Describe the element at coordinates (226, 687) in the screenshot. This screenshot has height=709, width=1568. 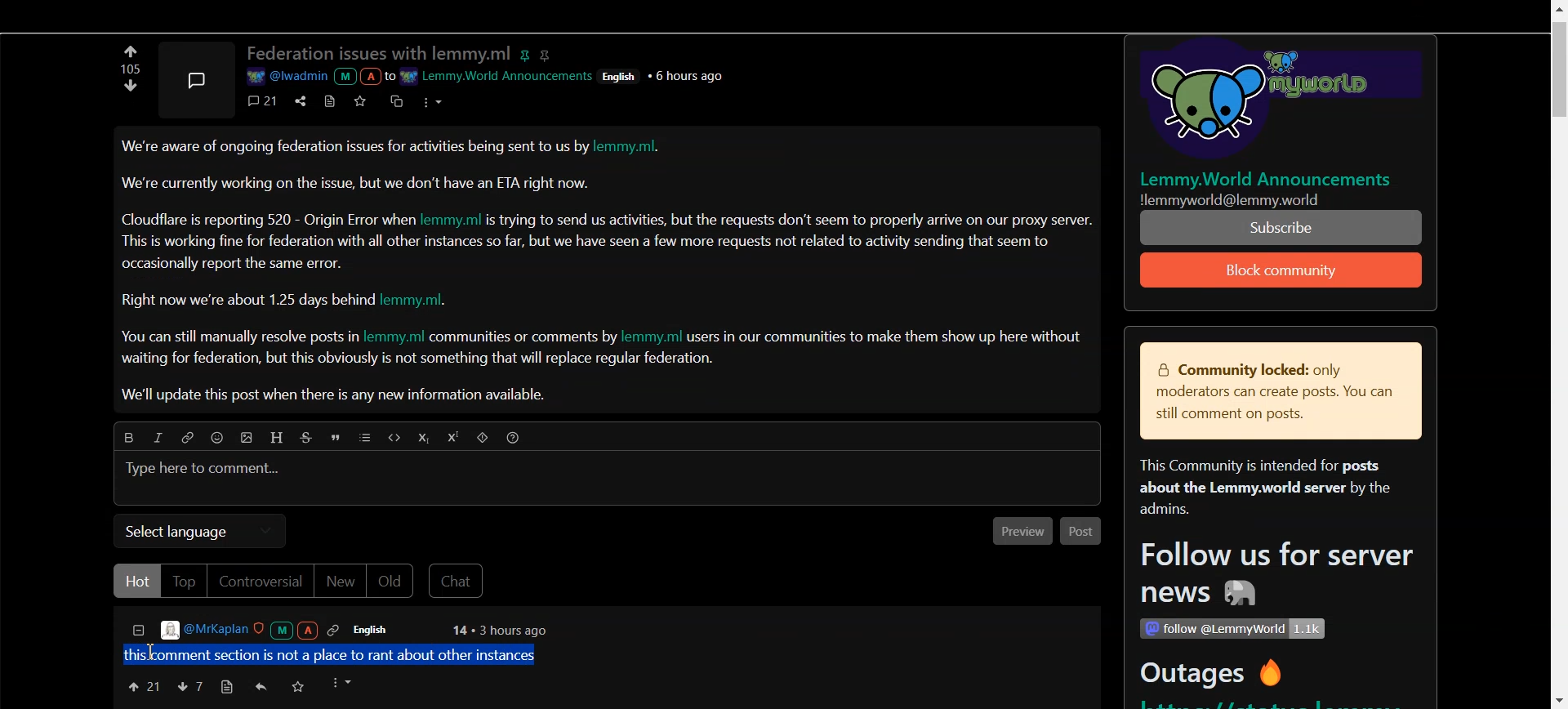
I see `view source` at that location.